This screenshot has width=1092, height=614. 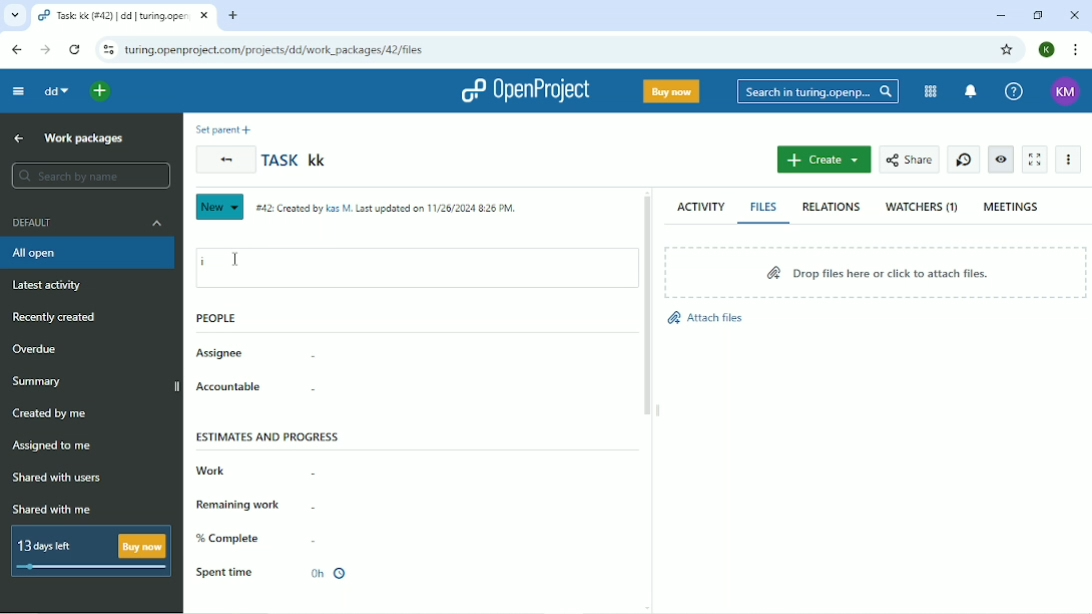 What do you see at coordinates (19, 139) in the screenshot?
I see `Up` at bounding box center [19, 139].